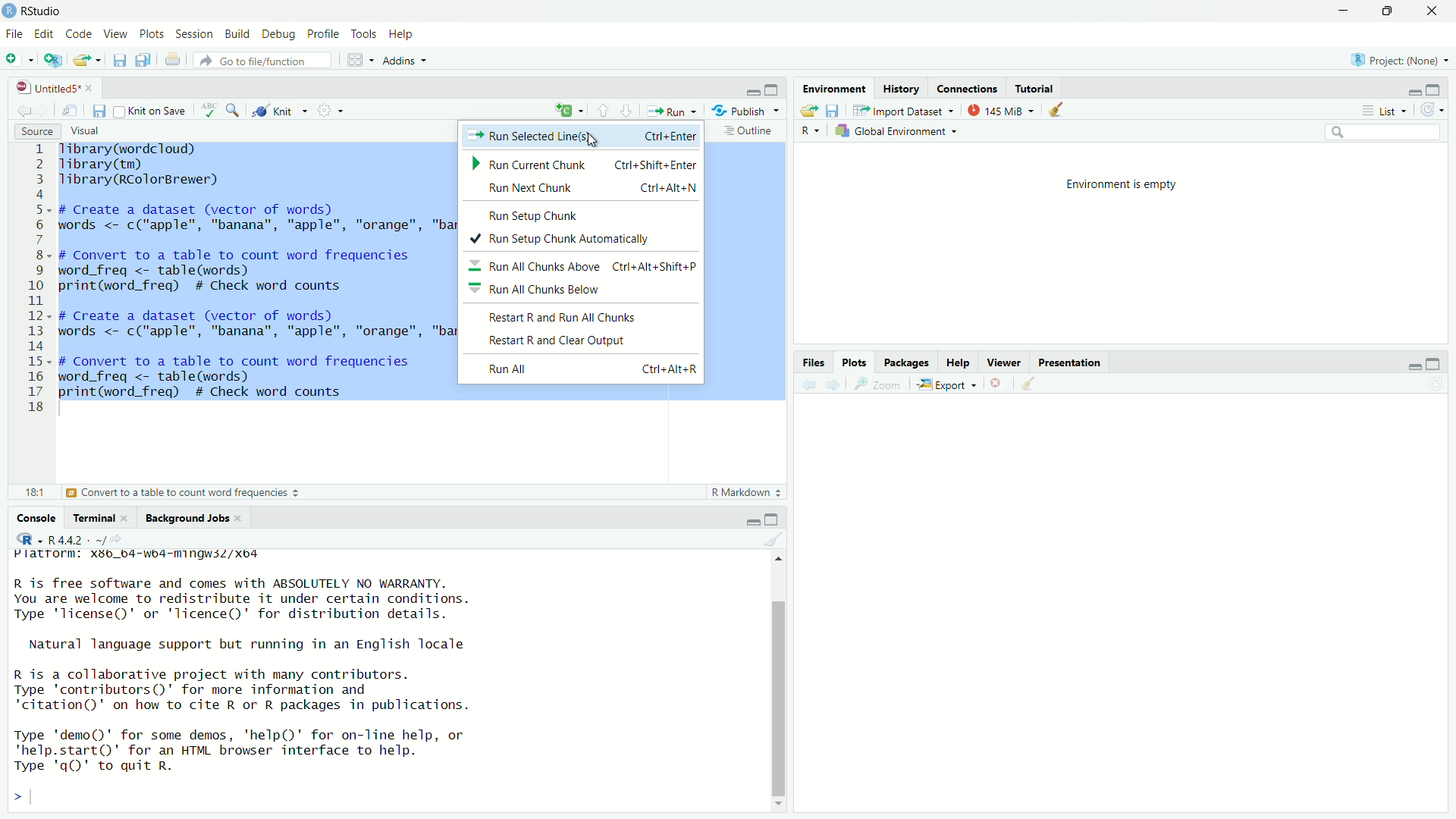  Describe the element at coordinates (325, 35) in the screenshot. I see `Profile` at that location.